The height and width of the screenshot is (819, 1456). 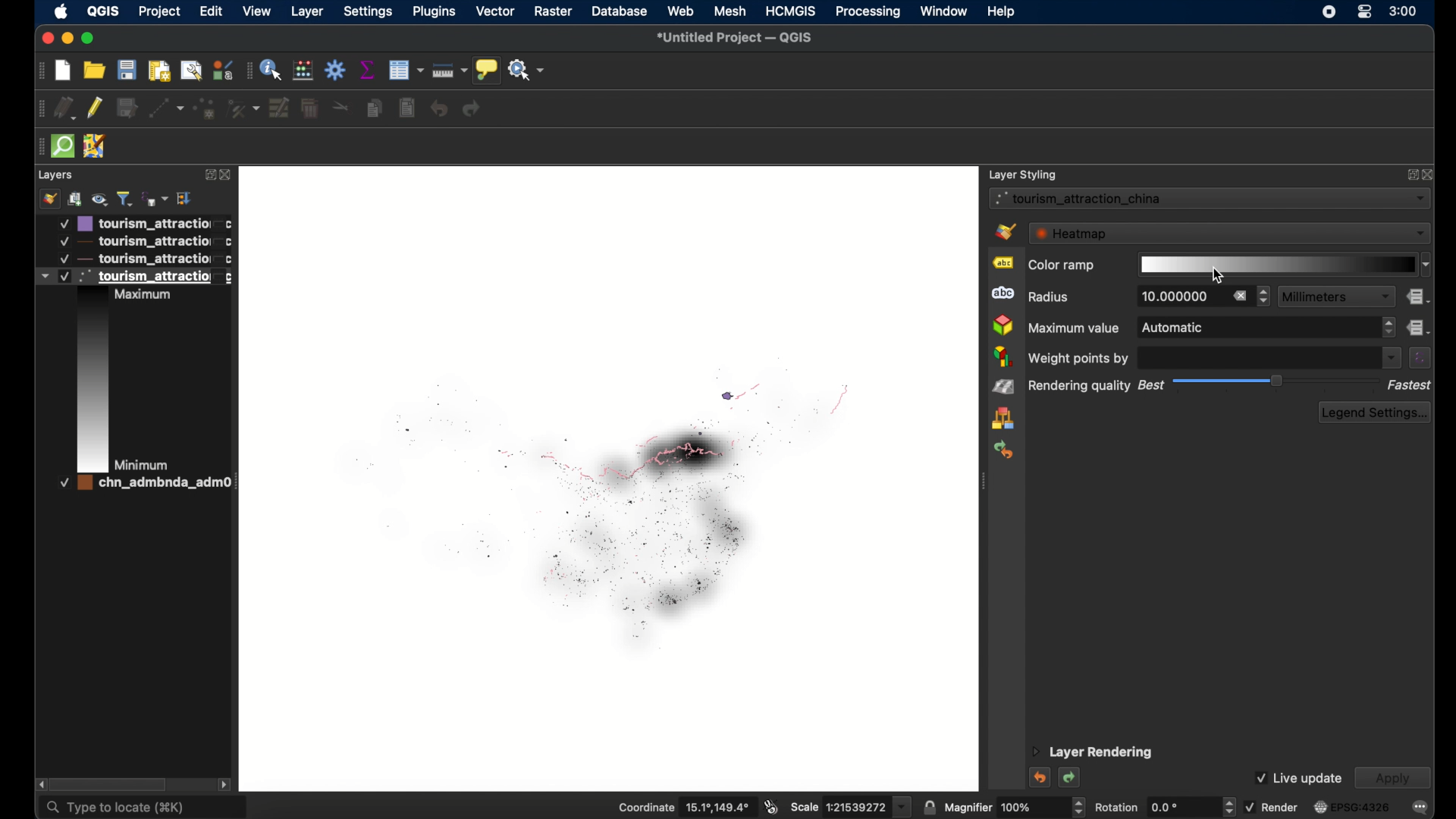 I want to click on current crs, so click(x=1352, y=807).